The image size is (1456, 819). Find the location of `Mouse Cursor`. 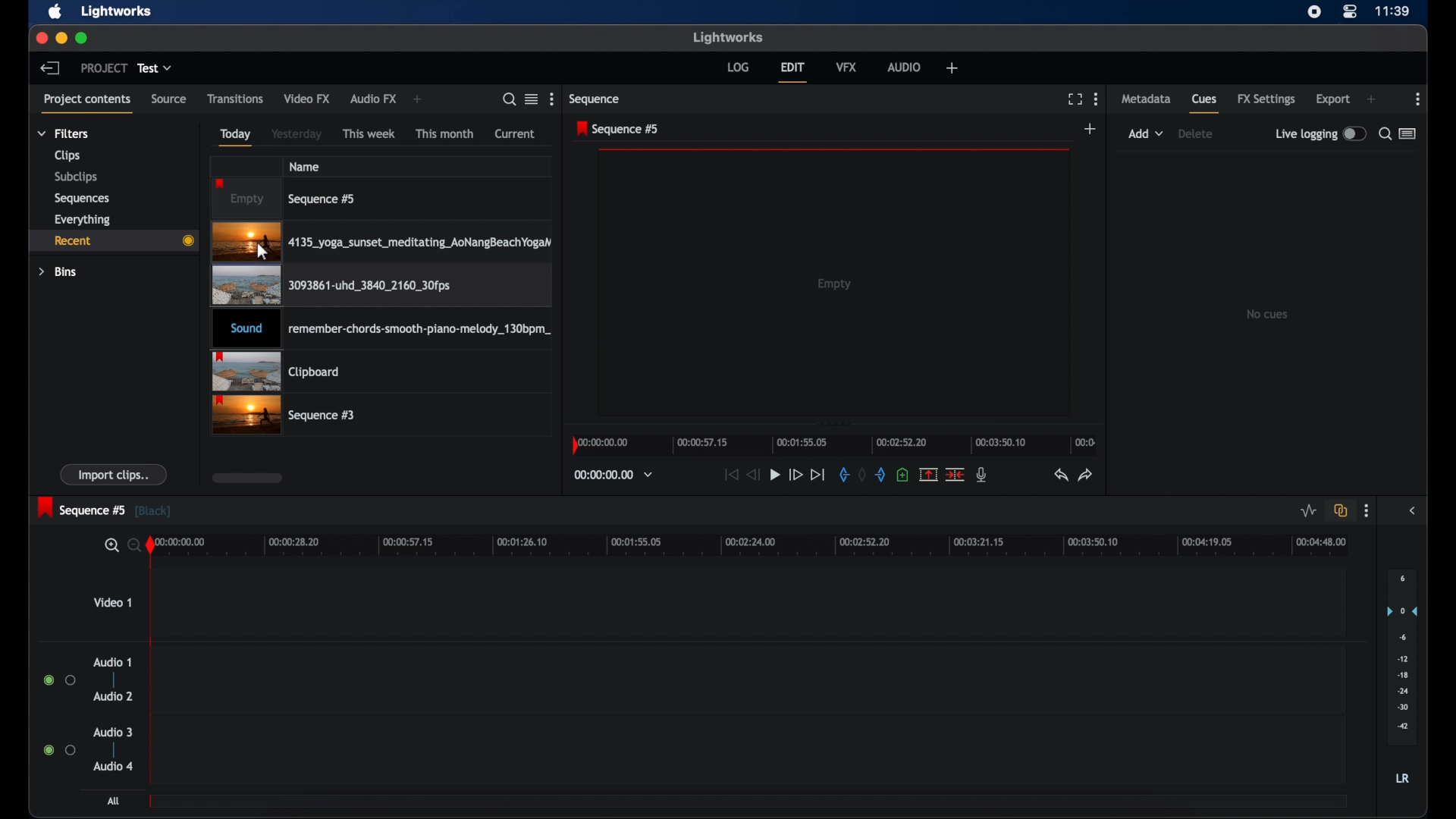

Mouse Cursor is located at coordinates (262, 253).